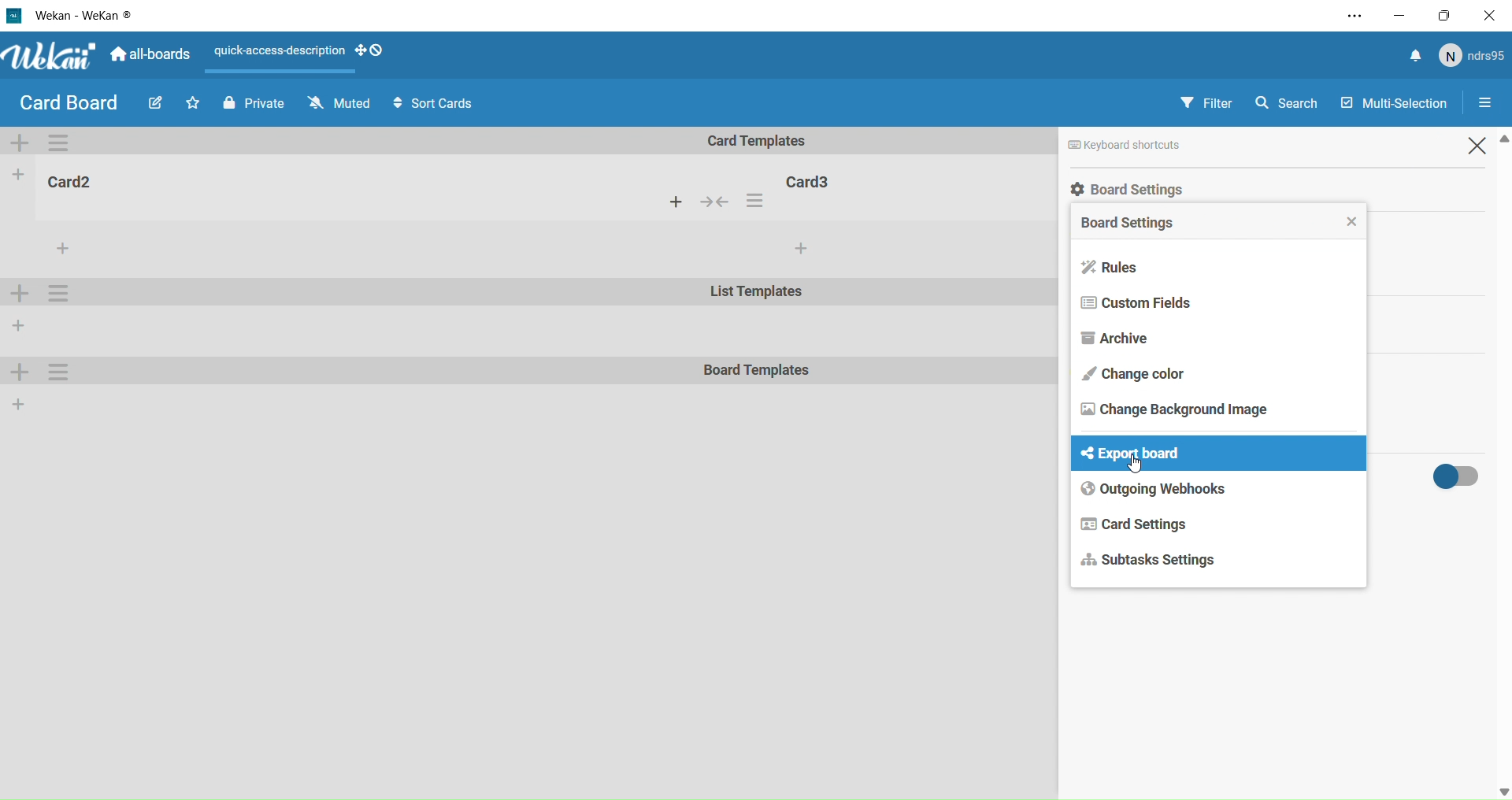 The height and width of the screenshot is (800, 1512). Describe the element at coordinates (149, 57) in the screenshot. I see `` at that location.